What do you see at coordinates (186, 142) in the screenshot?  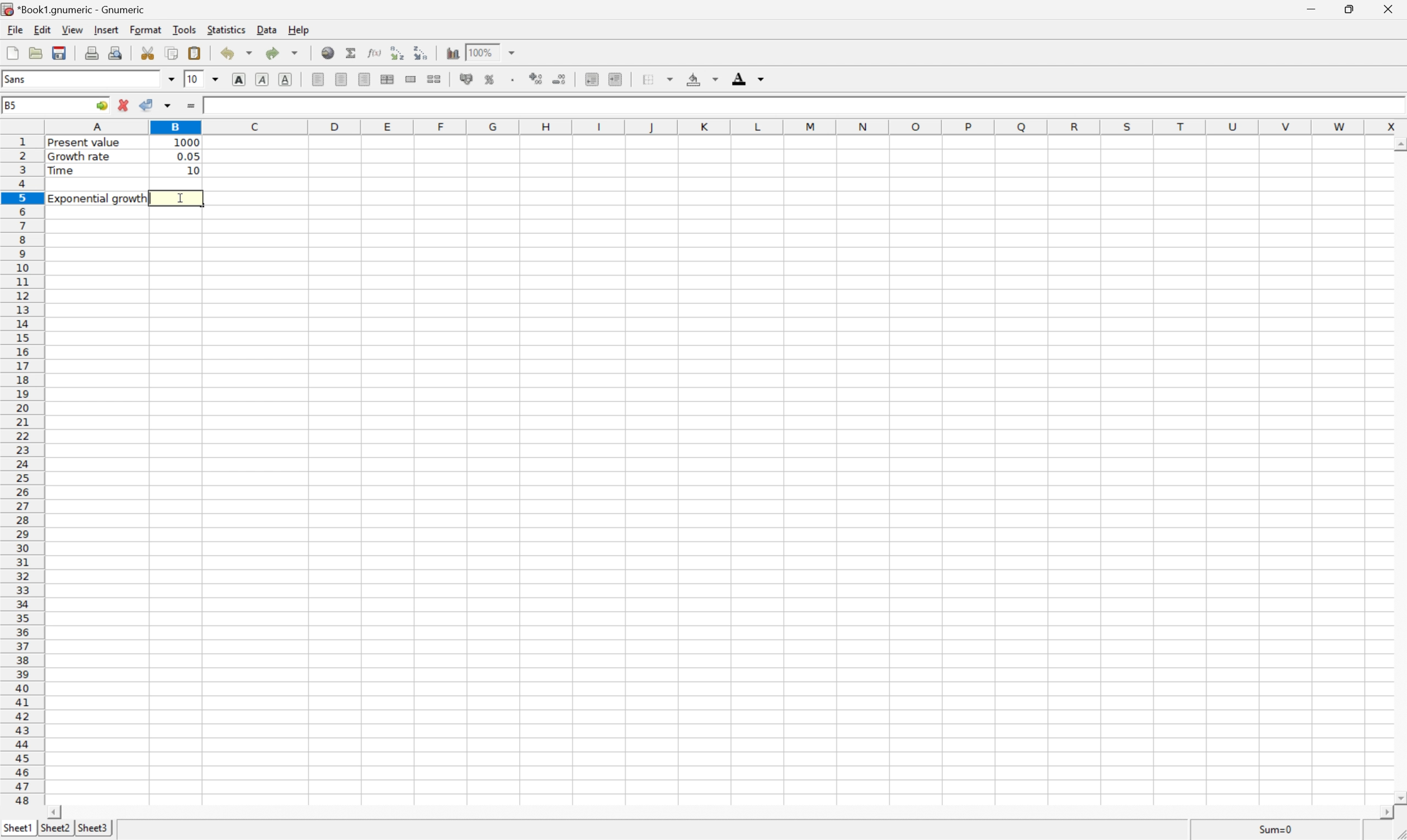 I see `1000` at bounding box center [186, 142].